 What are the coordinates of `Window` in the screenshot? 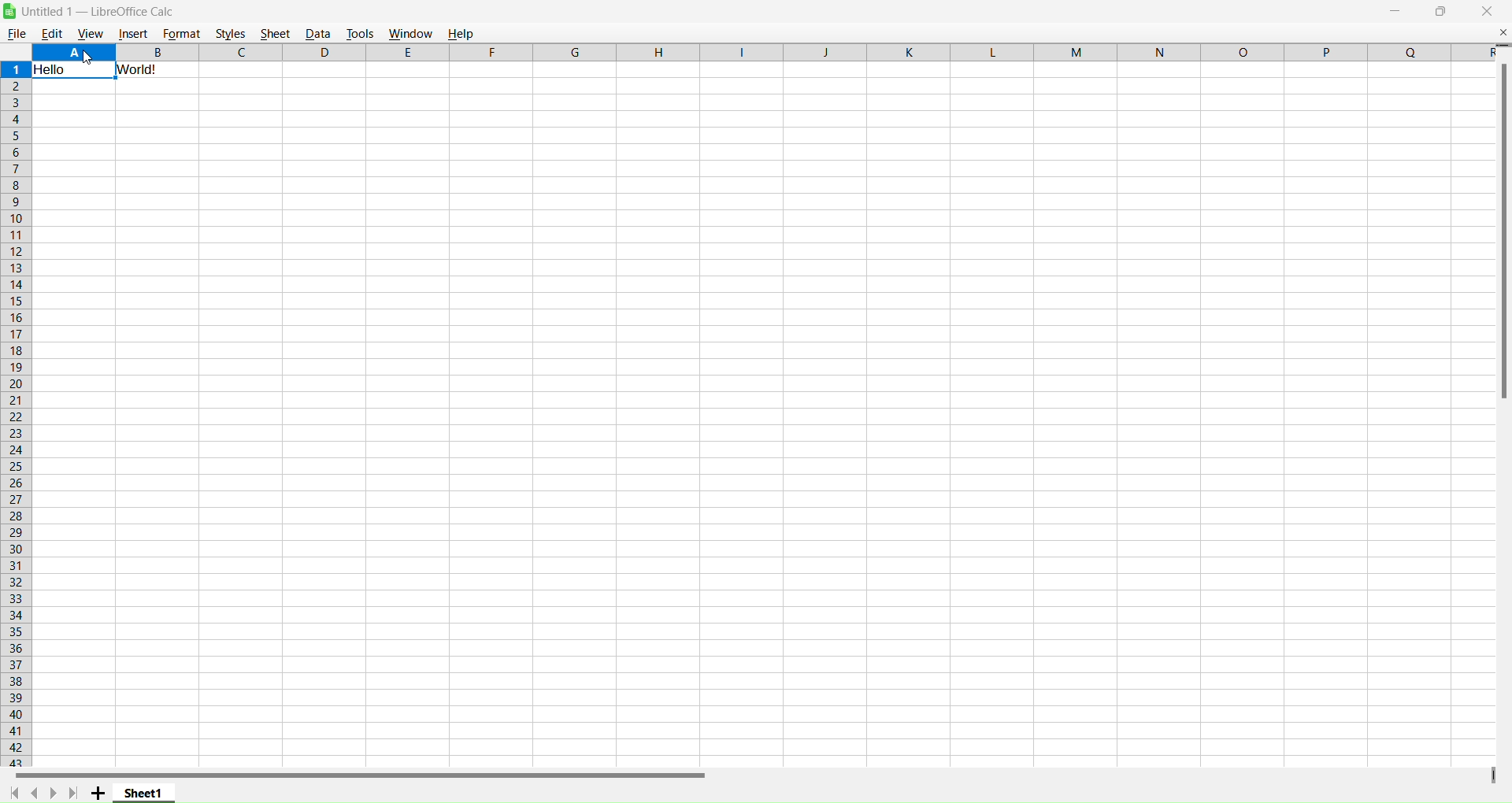 It's located at (410, 32).